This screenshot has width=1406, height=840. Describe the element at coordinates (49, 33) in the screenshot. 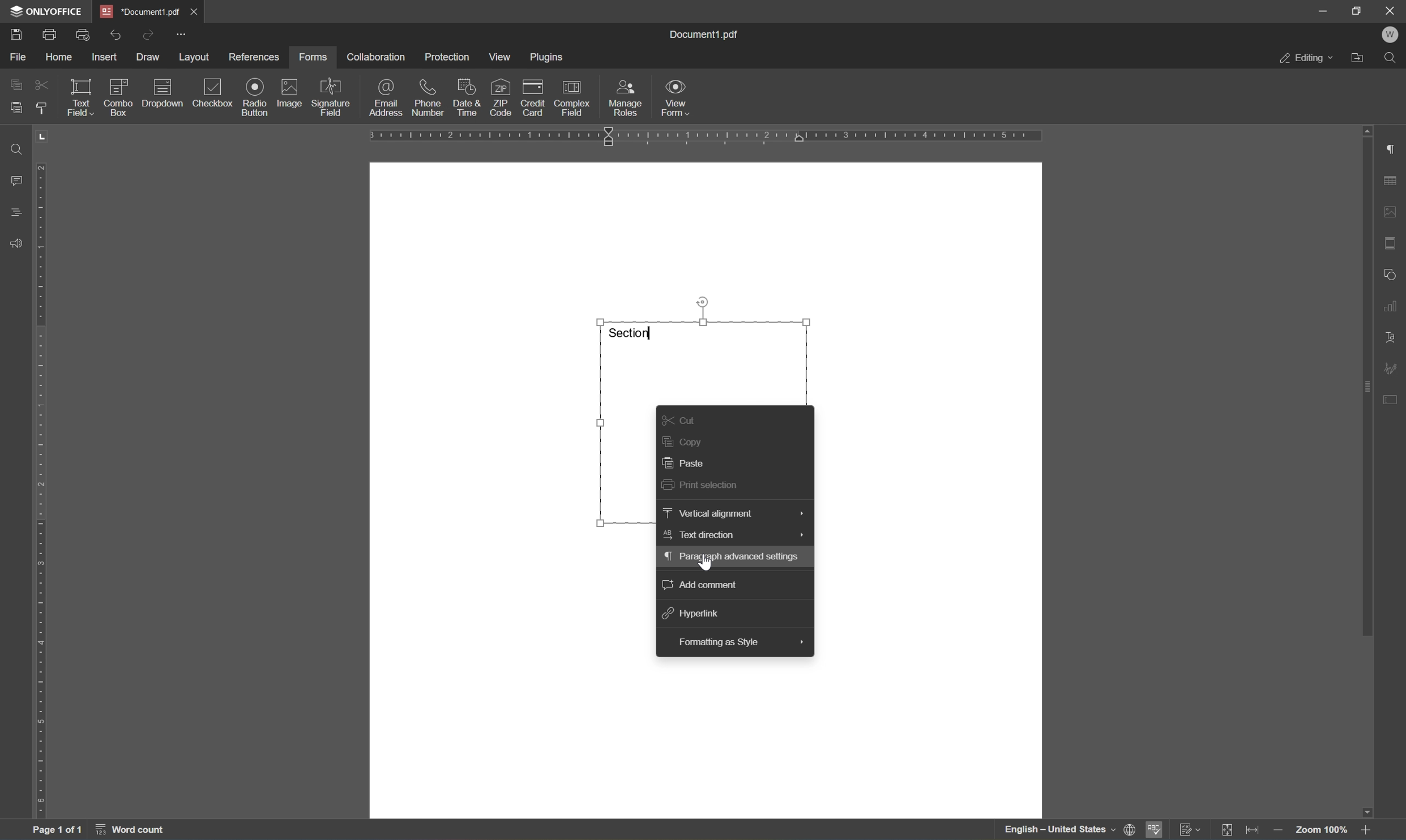

I see `print` at that location.